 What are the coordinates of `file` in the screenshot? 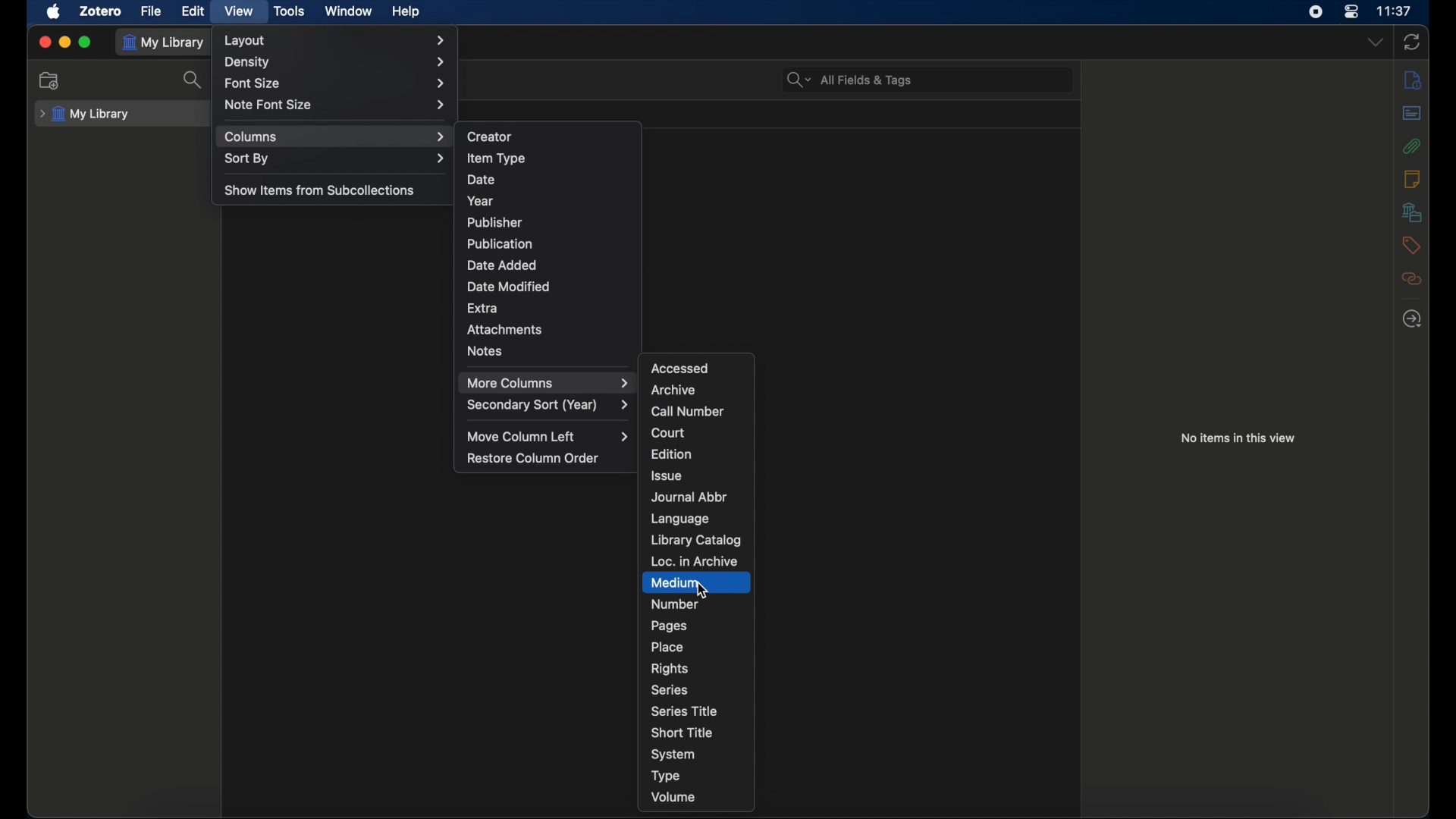 It's located at (152, 11).